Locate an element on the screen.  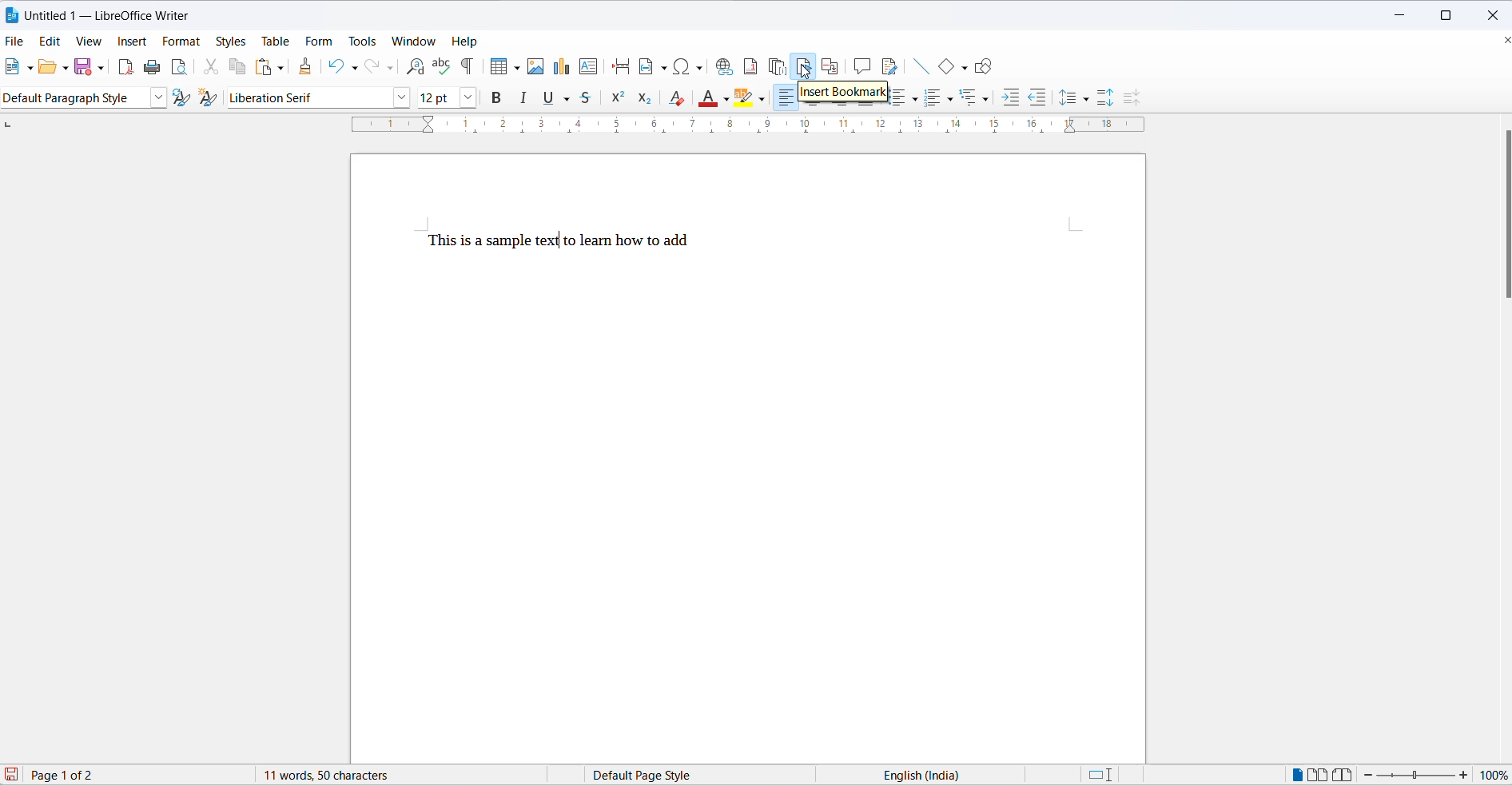
subscript is located at coordinates (646, 99).